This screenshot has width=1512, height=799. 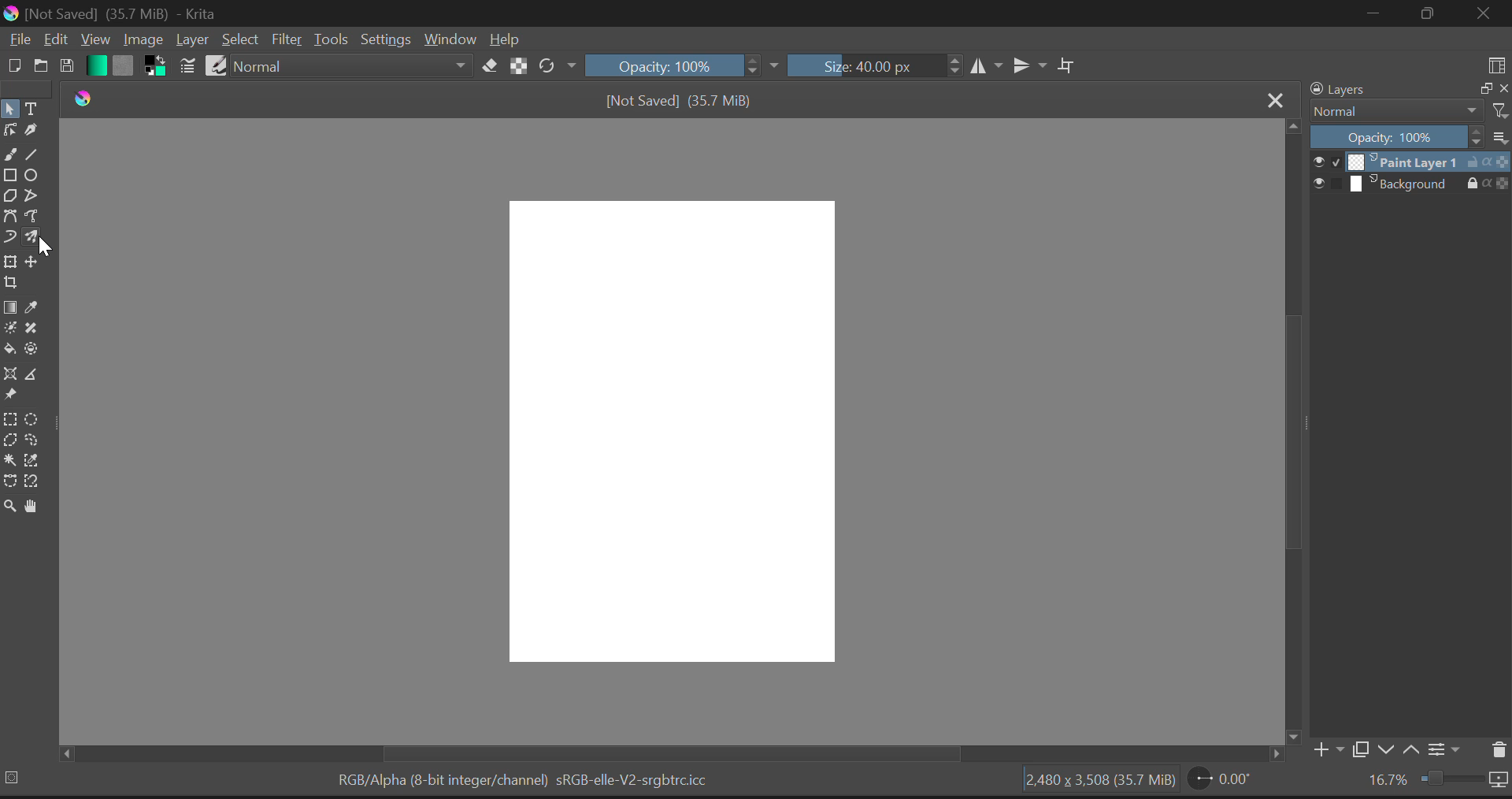 What do you see at coordinates (988, 66) in the screenshot?
I see `Vertical Mirror Flip` at bounding box center [988, 66].